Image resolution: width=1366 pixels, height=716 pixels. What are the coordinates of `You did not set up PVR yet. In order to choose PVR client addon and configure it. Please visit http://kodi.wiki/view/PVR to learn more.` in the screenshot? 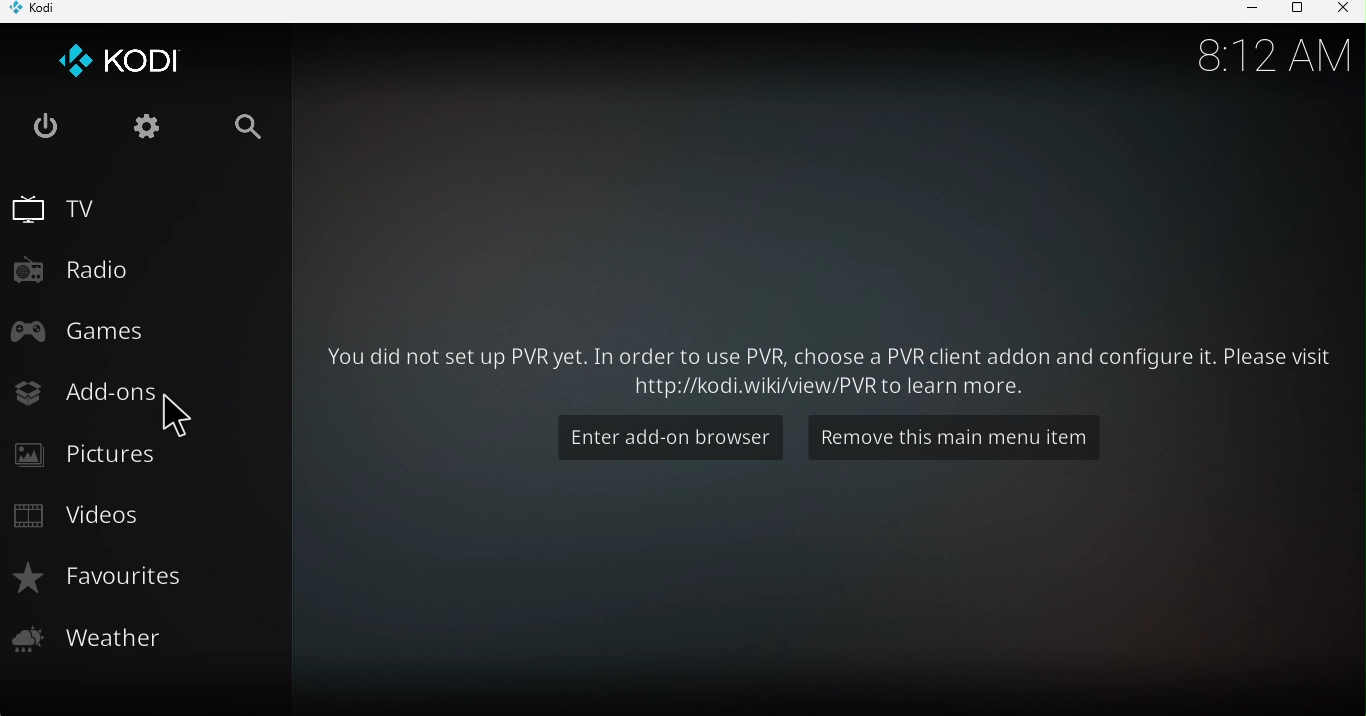 It's located at (827, 368).